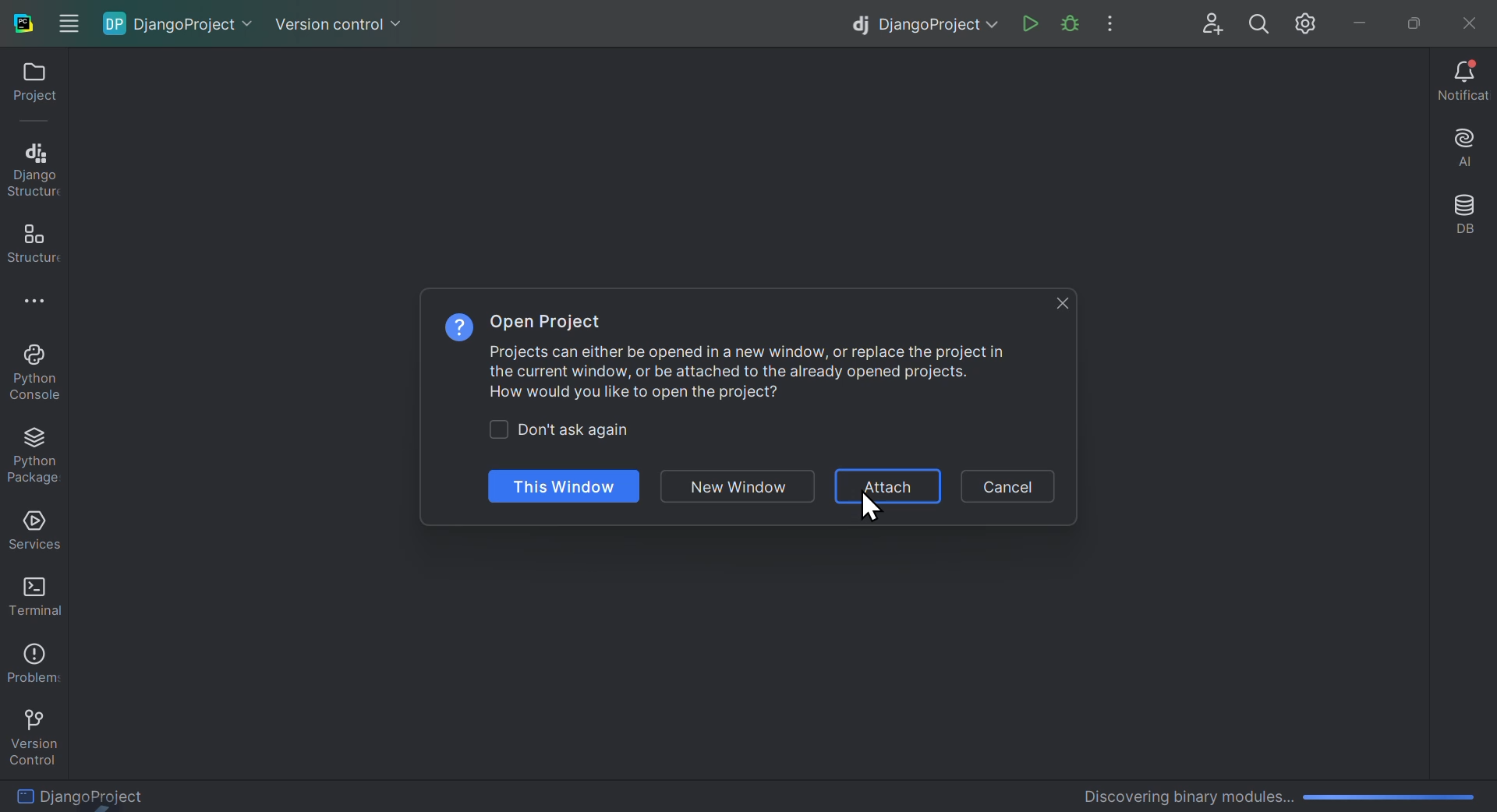 The height and width of the screenshot is (812, 1497). Describe the element at coordinates (31, 659) in the screenshot. I see `Problems` at that location.